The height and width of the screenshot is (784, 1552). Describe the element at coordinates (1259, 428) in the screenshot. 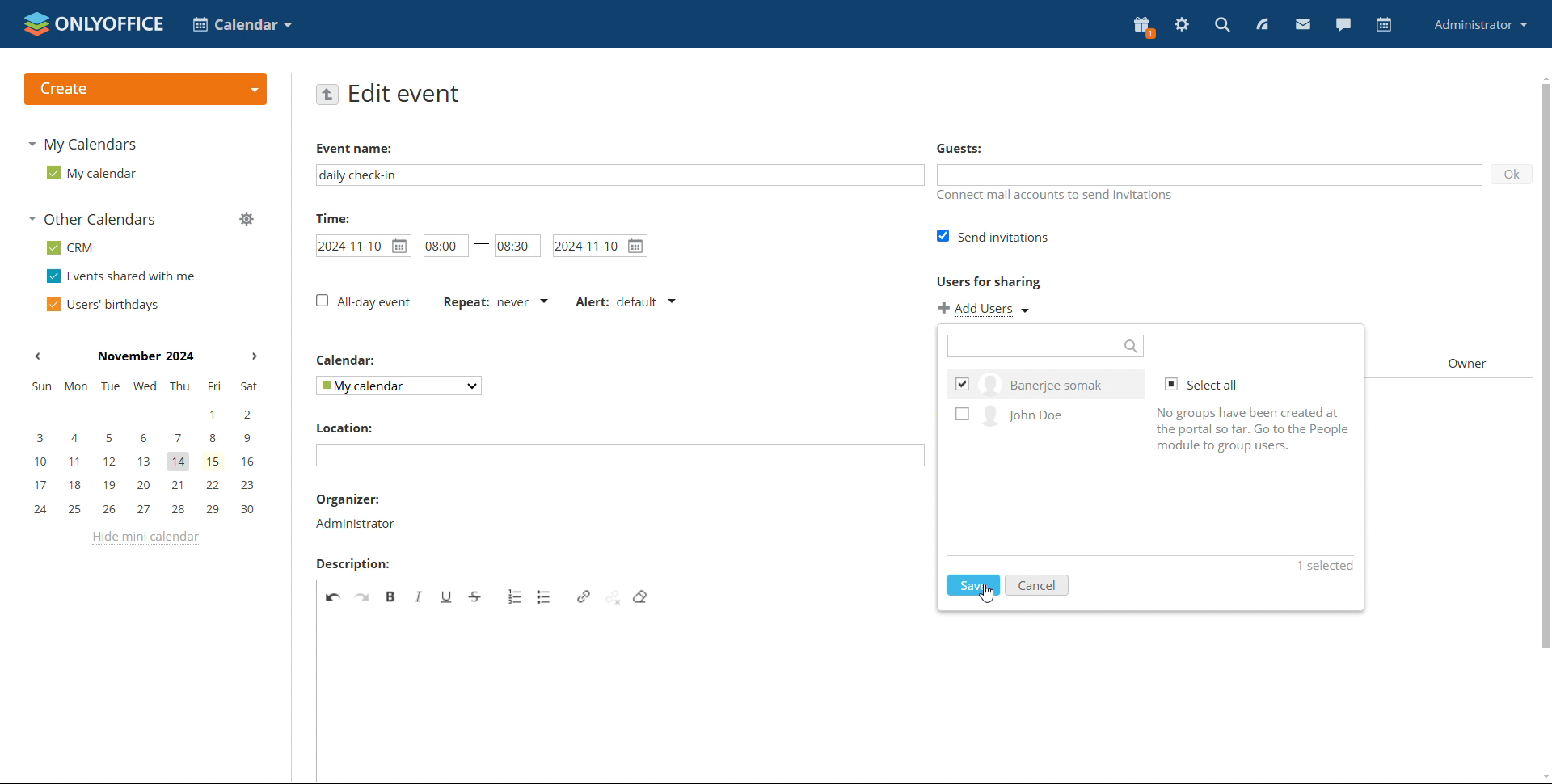

I see `no groups have been created at the portal so far...` at that location.